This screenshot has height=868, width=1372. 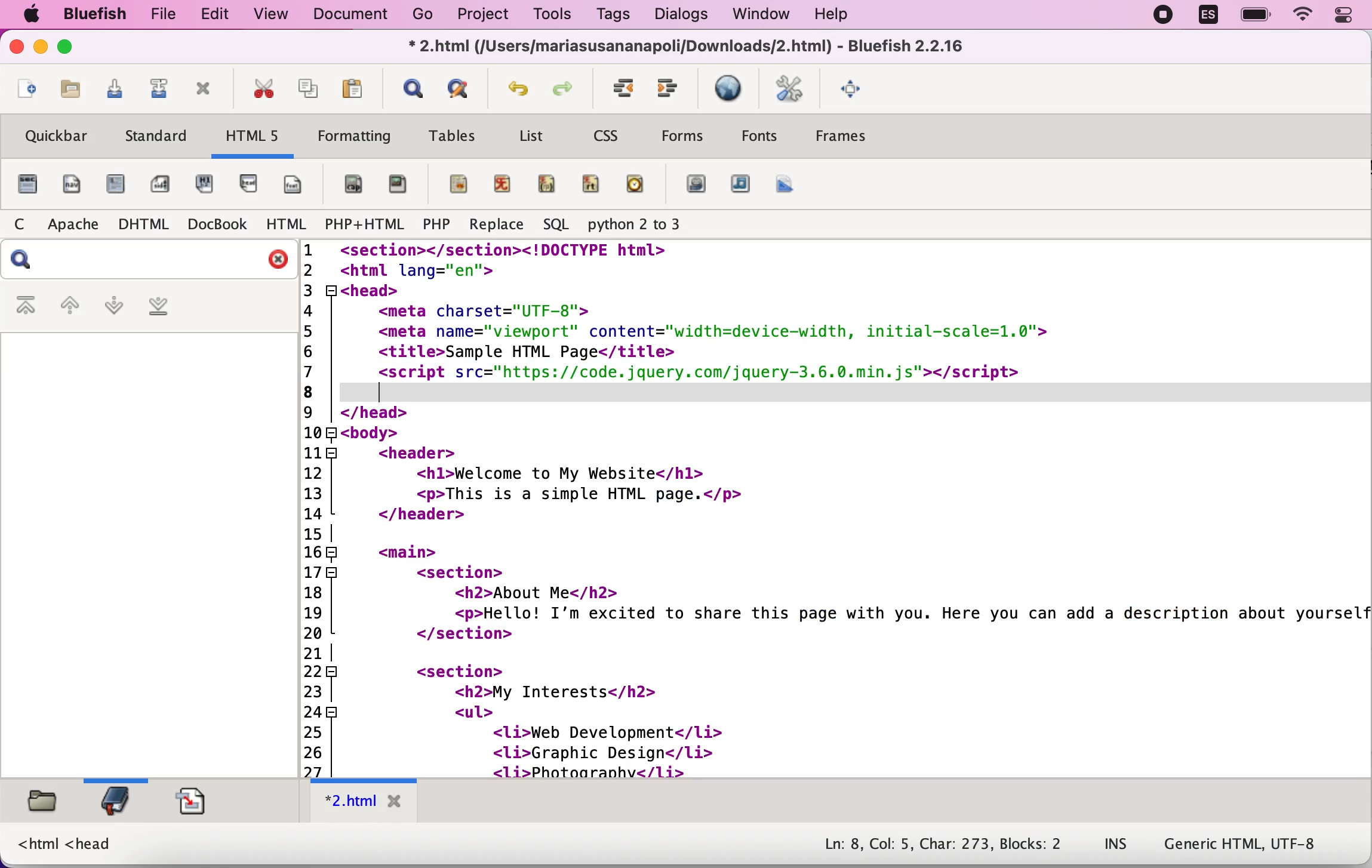 I want to click on first bookmark, so click(x=27, y=306).